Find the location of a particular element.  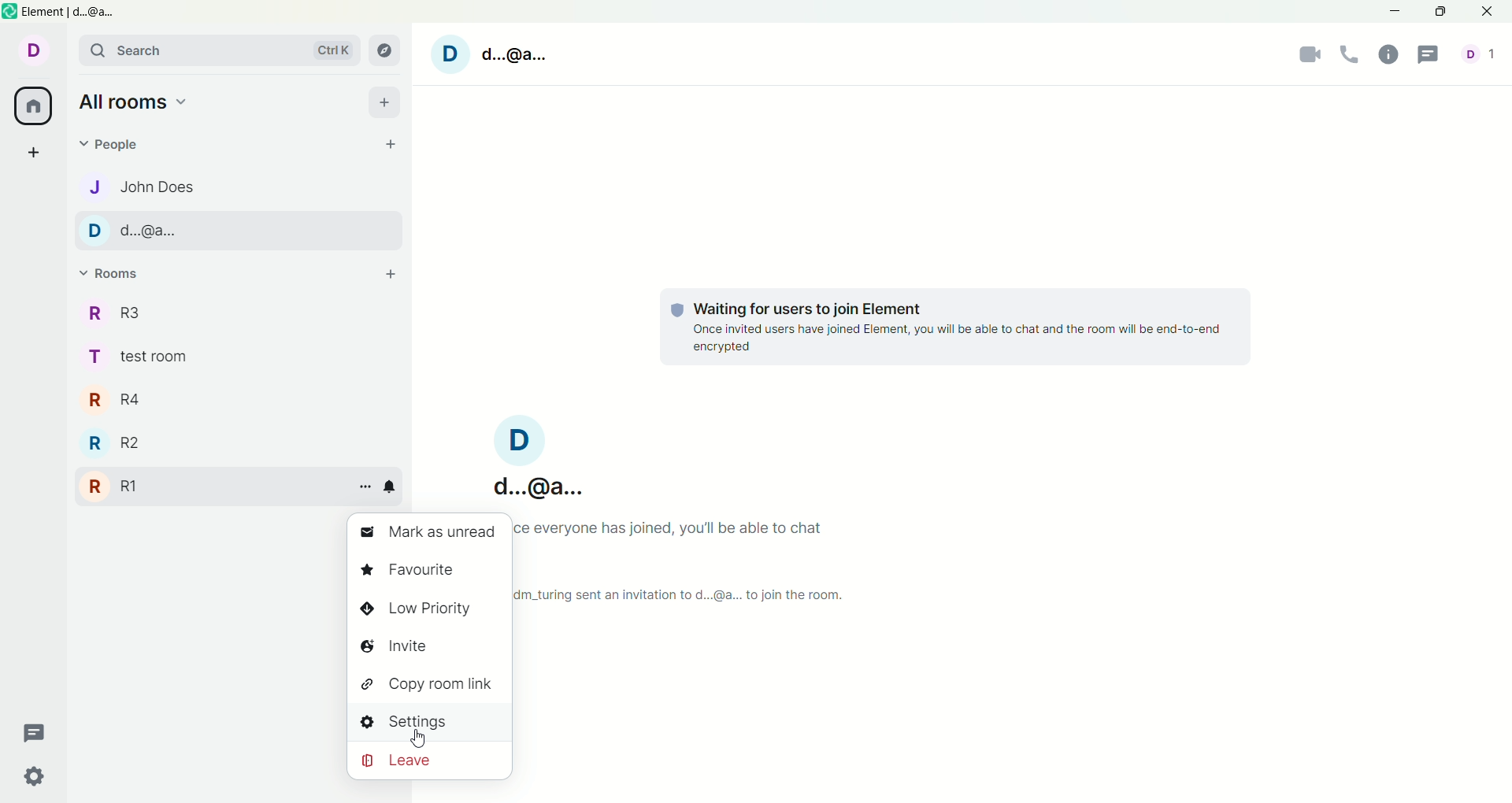

r r4 is located at coordinates (121, 402).